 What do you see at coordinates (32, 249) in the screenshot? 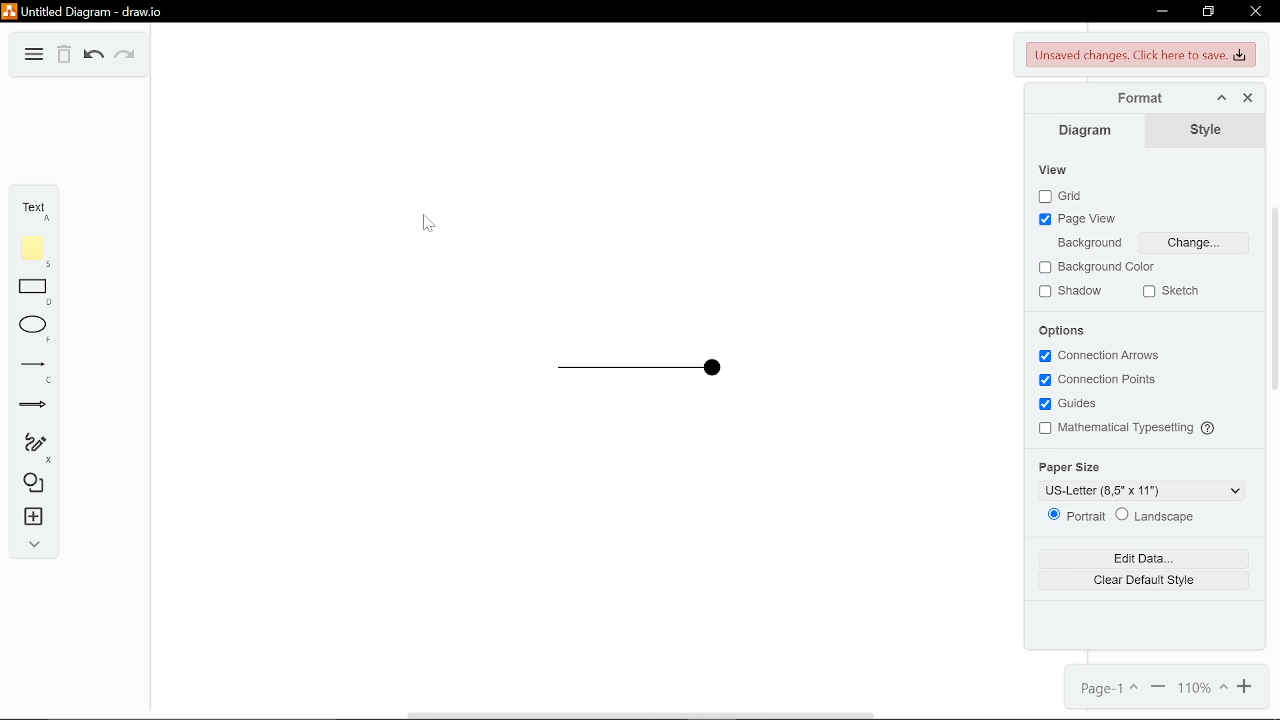
I see `Note` at bounding box center [32, 249].